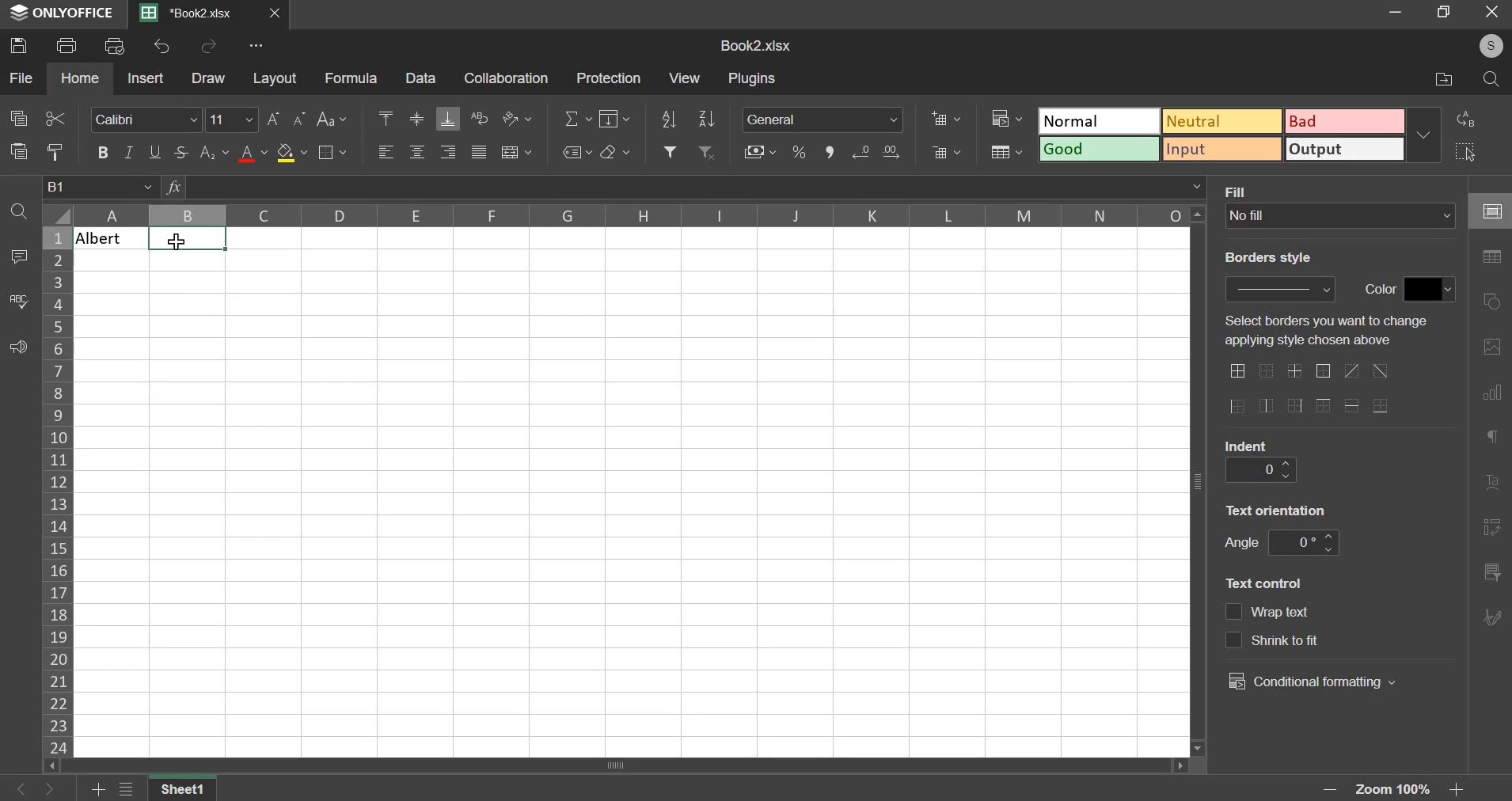 The width and height of the screenshot is (1512, 801). I want to click on fill, so click(614, 119).